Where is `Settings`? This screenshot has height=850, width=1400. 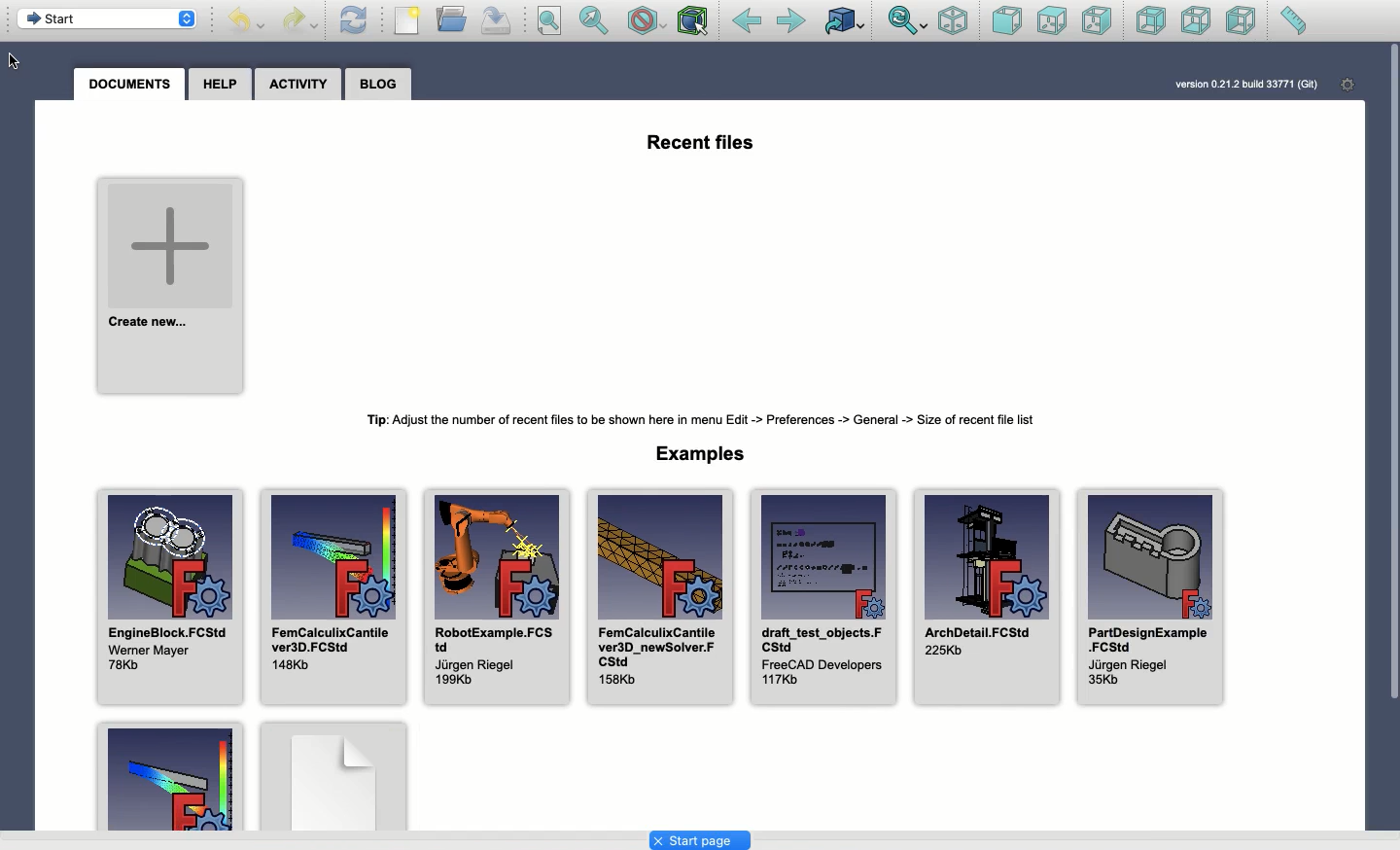
Settings is located at coordinates (1348, 85).